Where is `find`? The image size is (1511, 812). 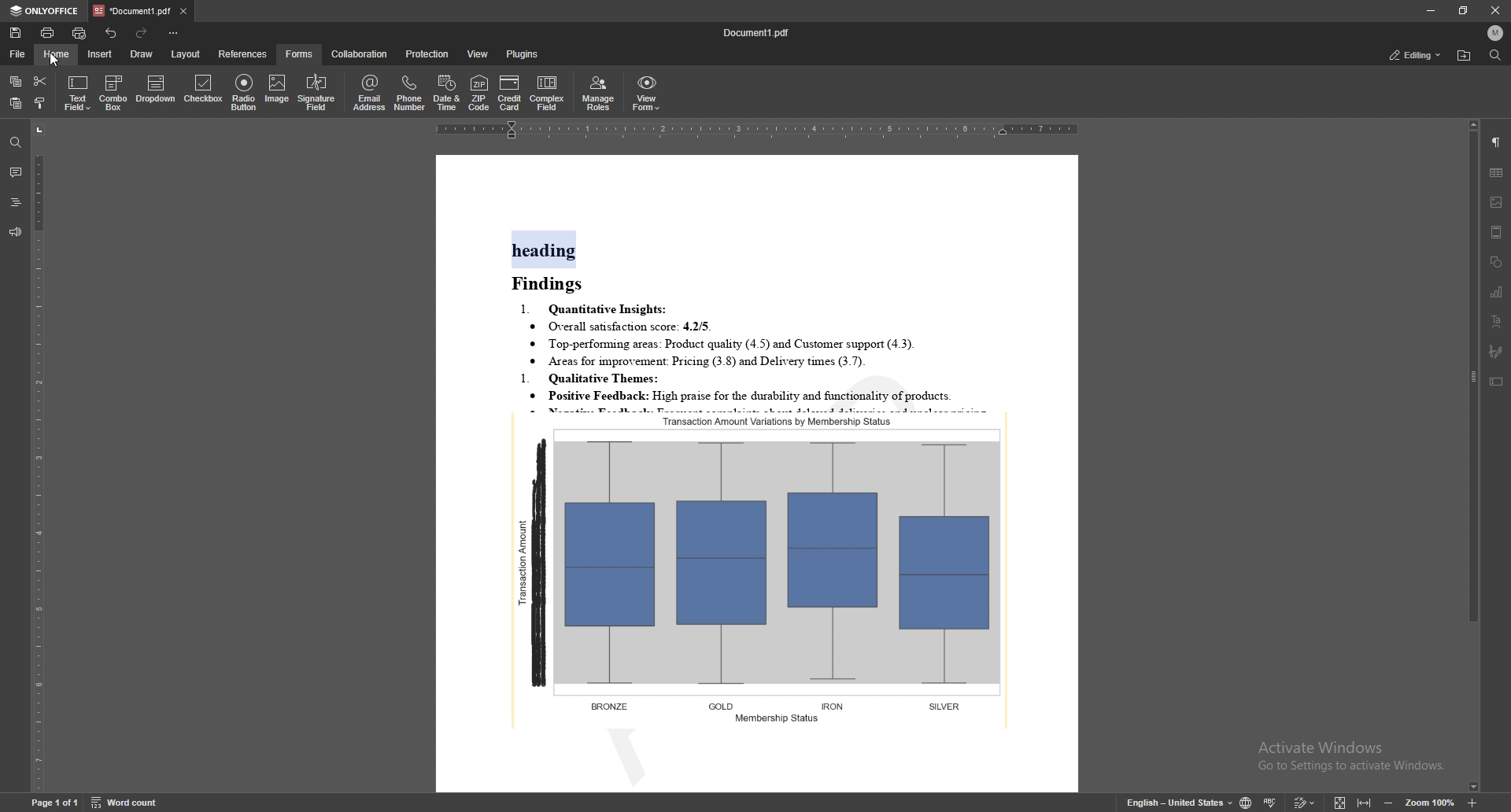 find is located at coordinates (14, 143).